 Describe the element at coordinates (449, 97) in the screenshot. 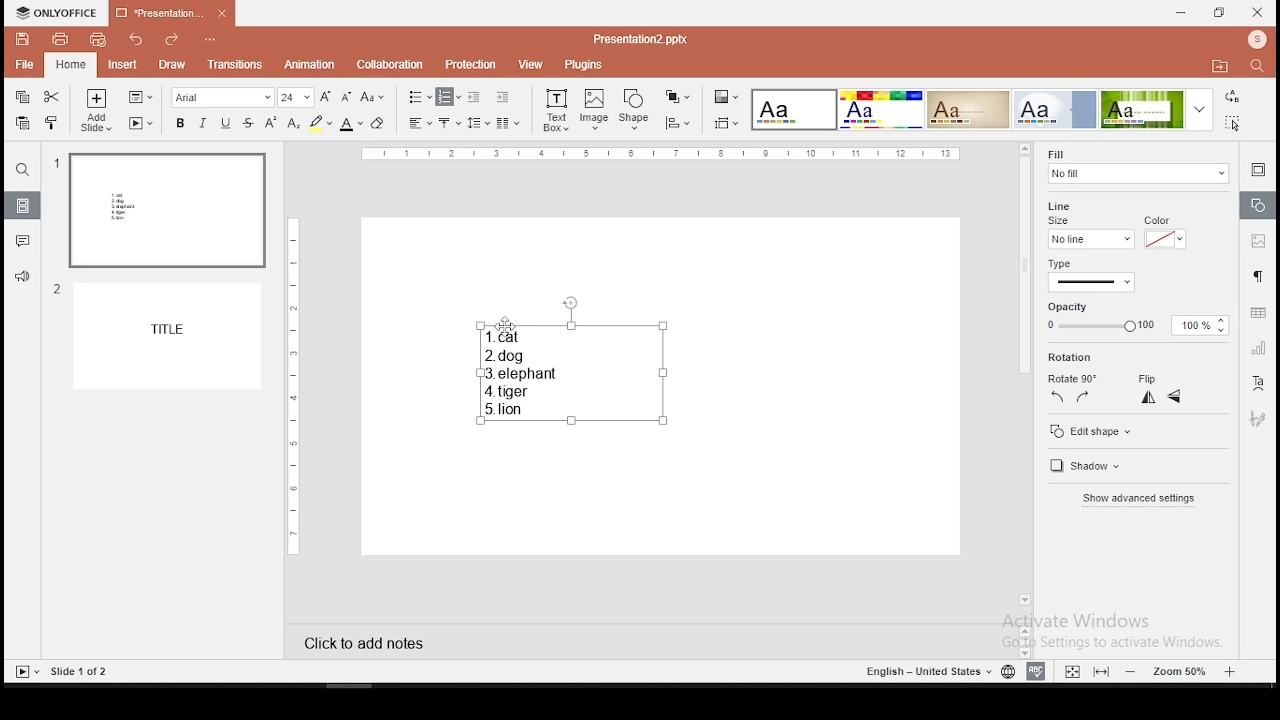

I see `numbering` at that location.